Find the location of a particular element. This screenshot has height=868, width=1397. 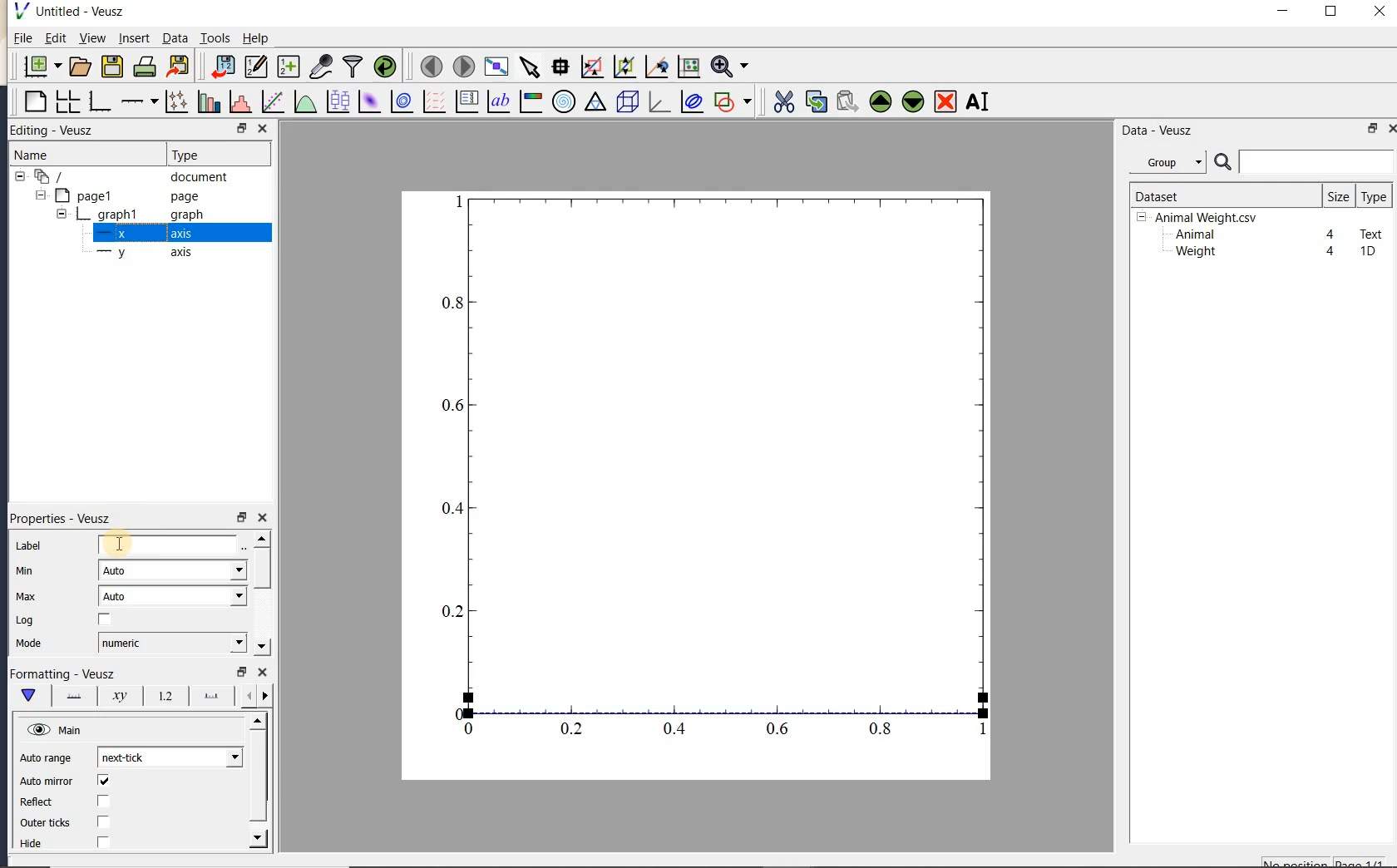

Data-Veusz is located at coordinates (1158, 131).